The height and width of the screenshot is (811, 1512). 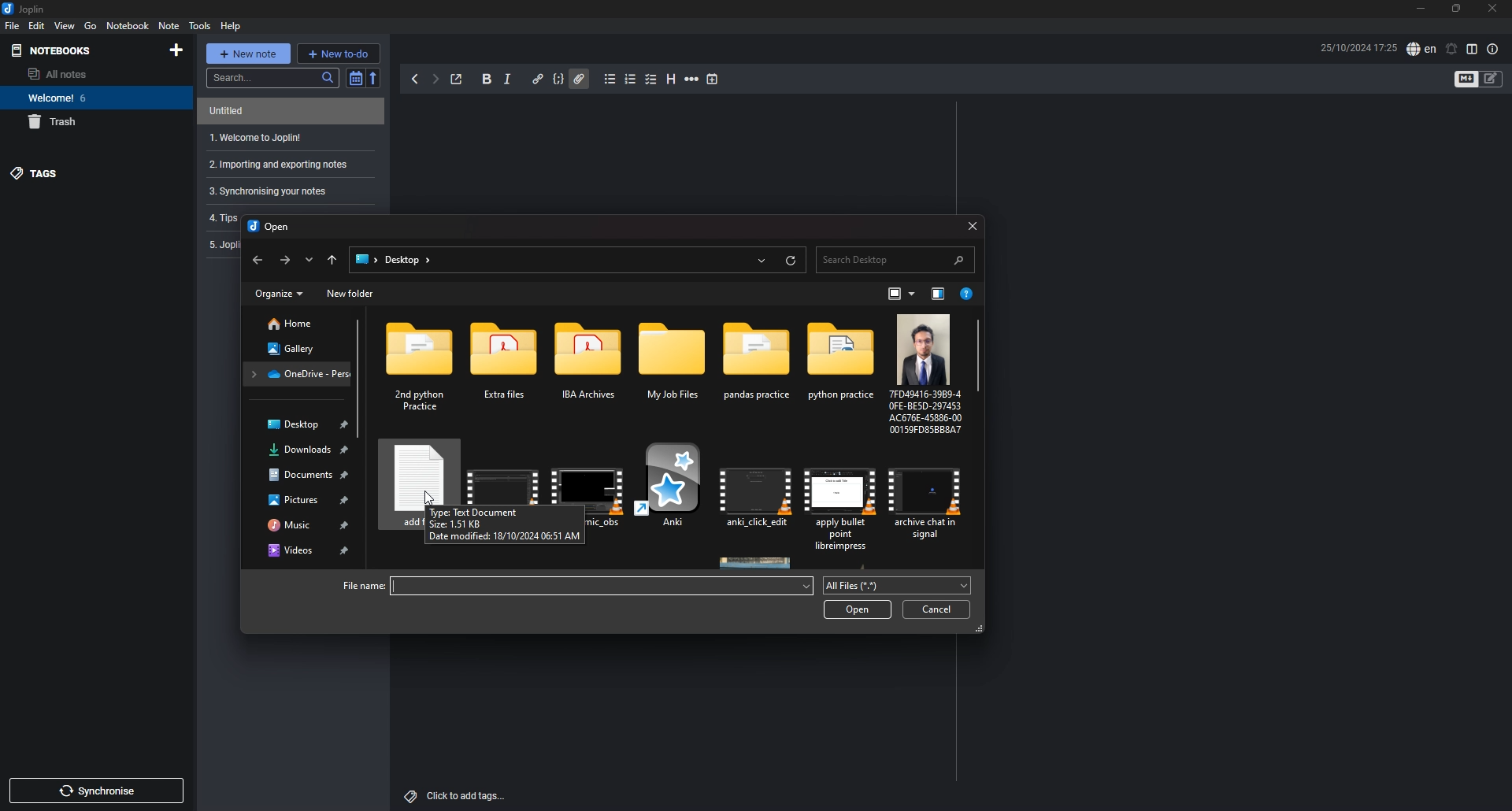 I want to click on 4. Tips, so click(x=221, y=217).